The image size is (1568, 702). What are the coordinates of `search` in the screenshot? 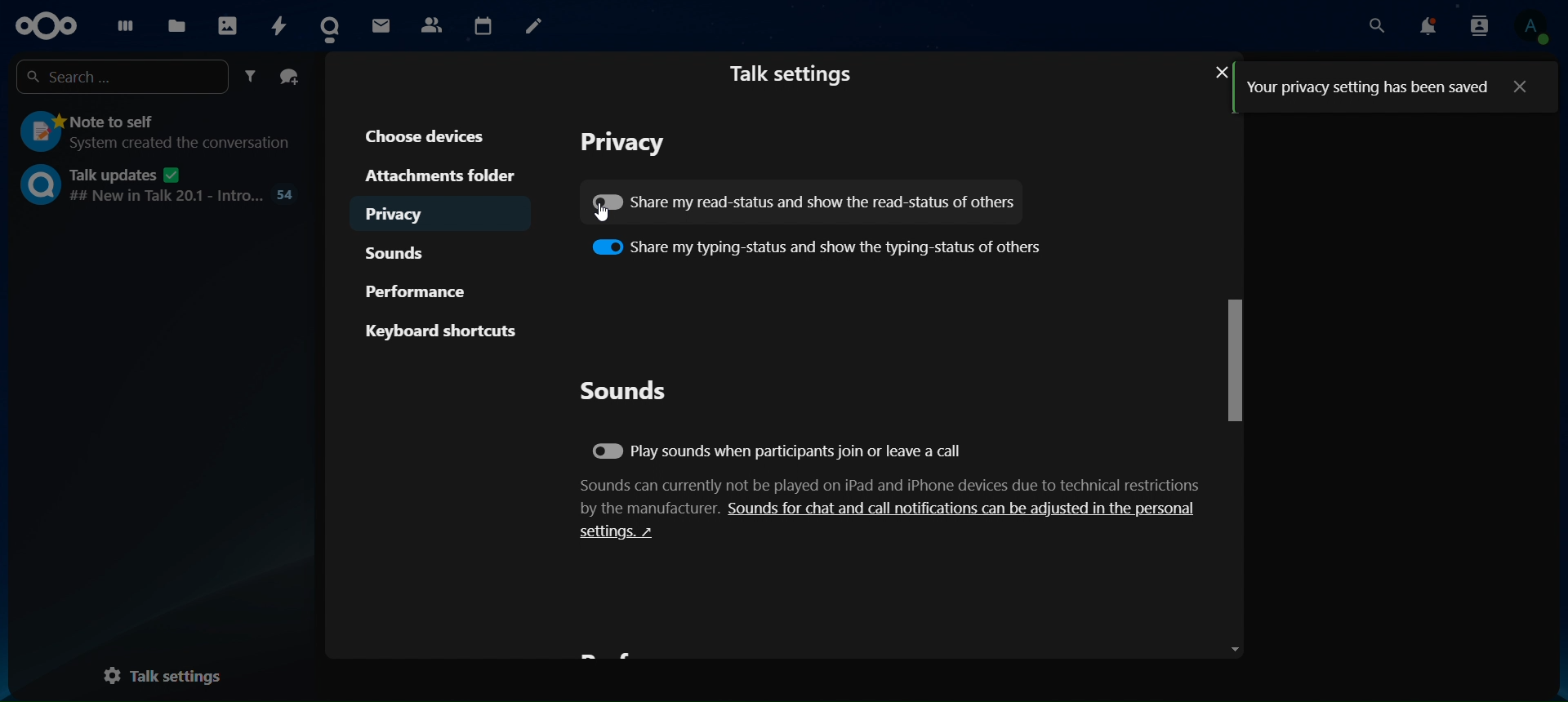 It's located at (124, 74).